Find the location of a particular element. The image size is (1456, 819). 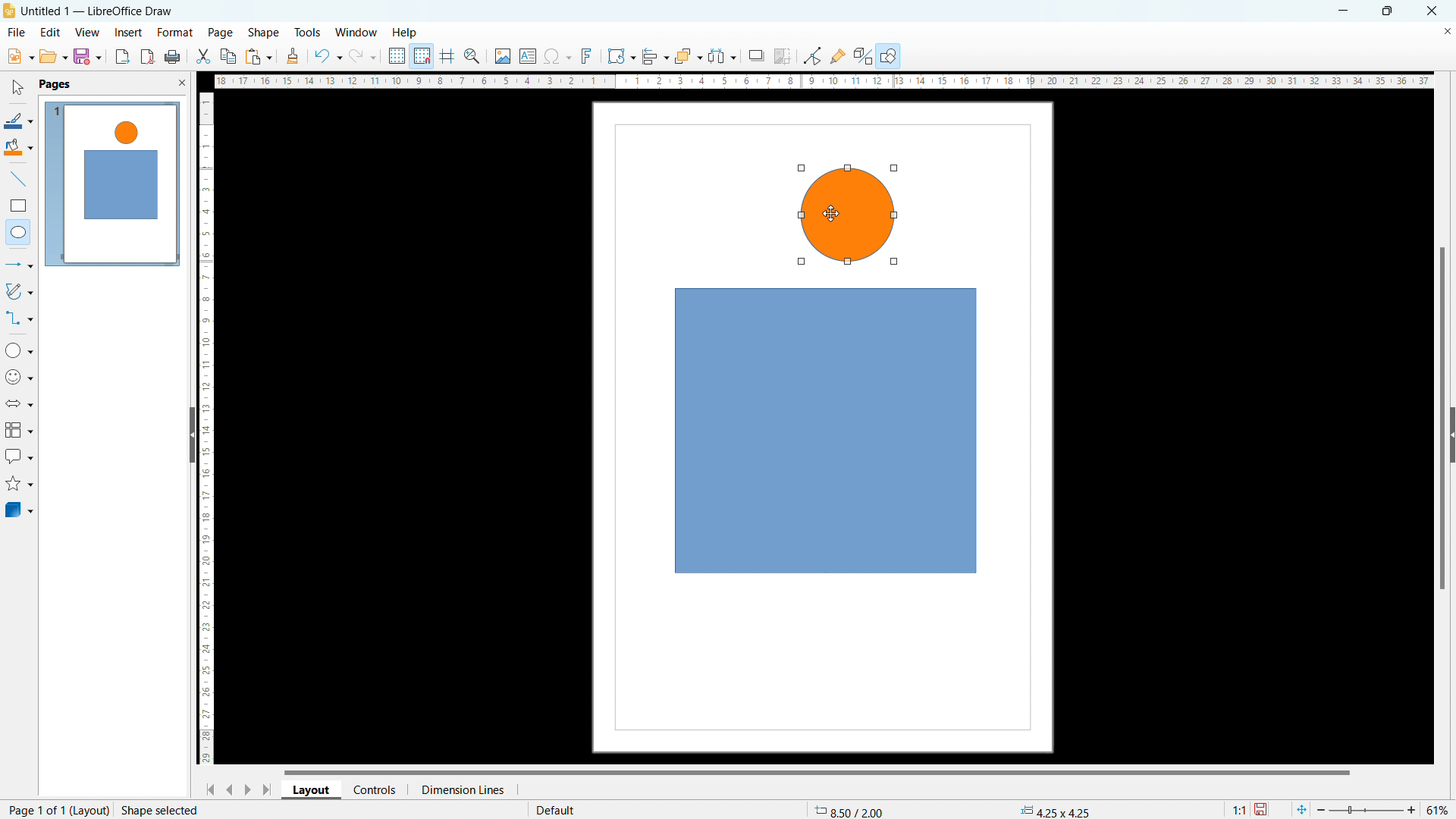

cursor coordinates is located at coordinates (853, 808).